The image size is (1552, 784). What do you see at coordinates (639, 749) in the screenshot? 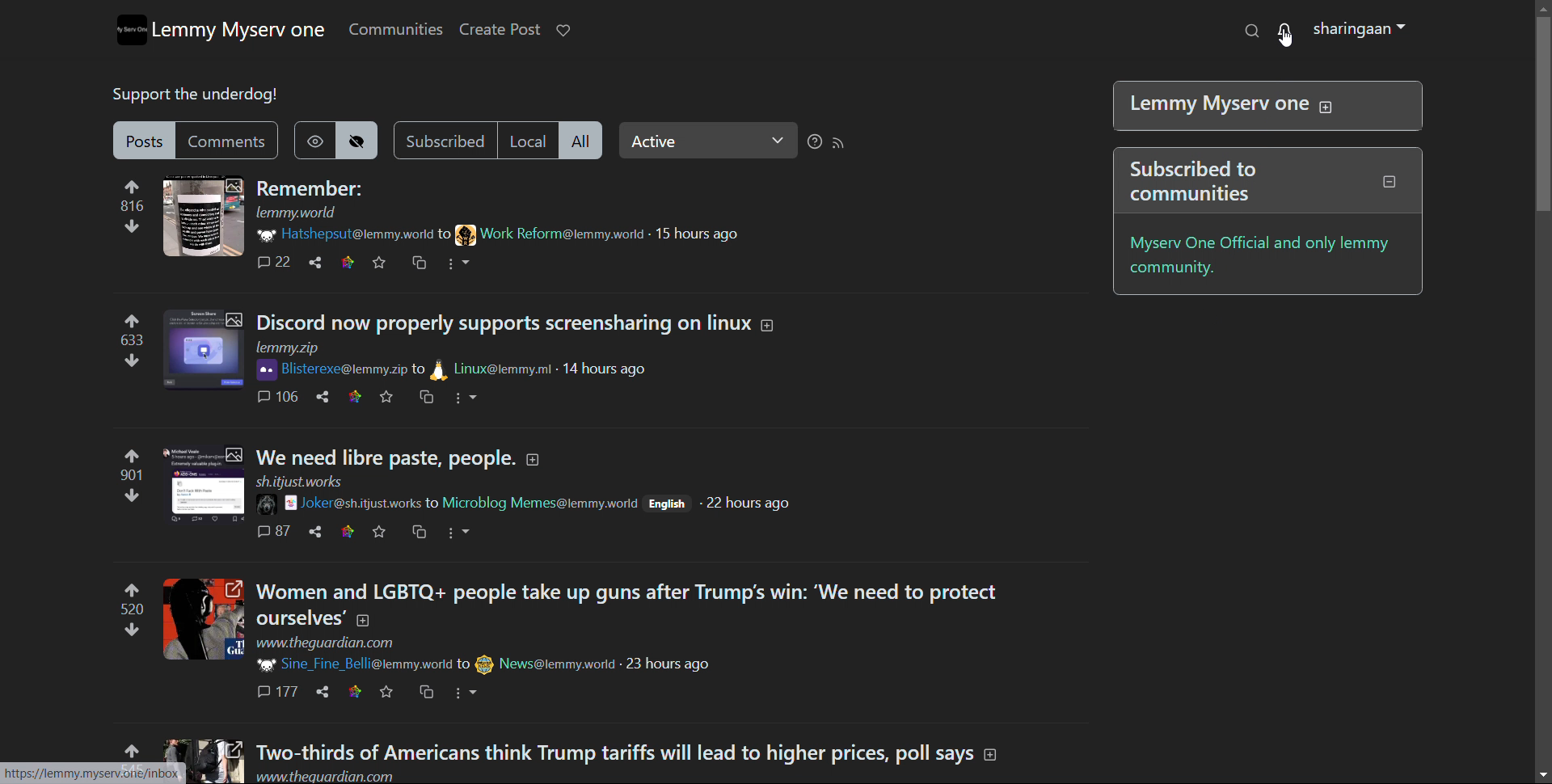
I see `Post on "Two-thirds of Americans think Trump tarrifs will lead to higher prices,poll says"` at bounding box center [639, 749].